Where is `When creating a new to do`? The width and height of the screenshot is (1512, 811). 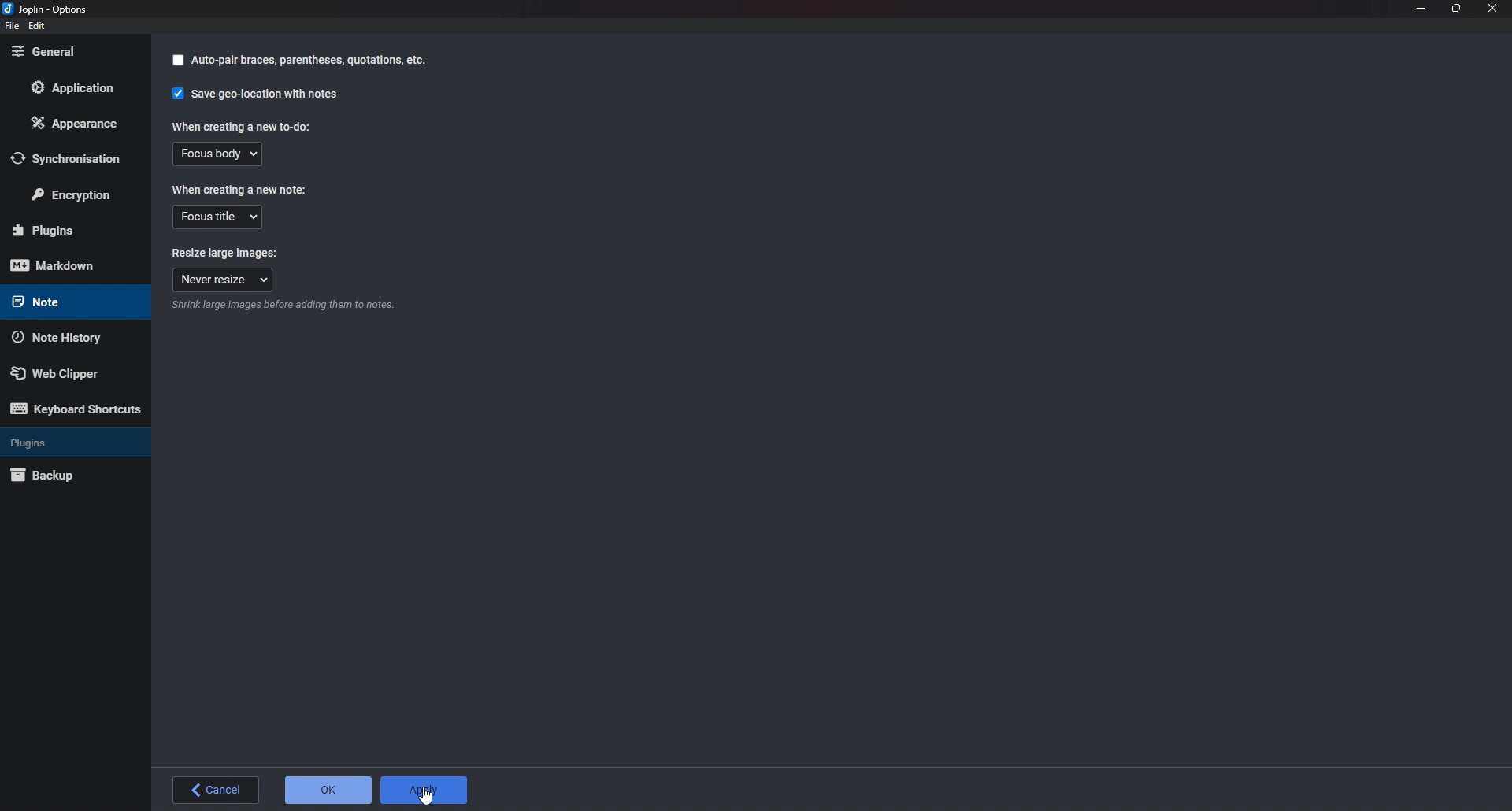 When creating a new to do is located at coordinates (237, 125).